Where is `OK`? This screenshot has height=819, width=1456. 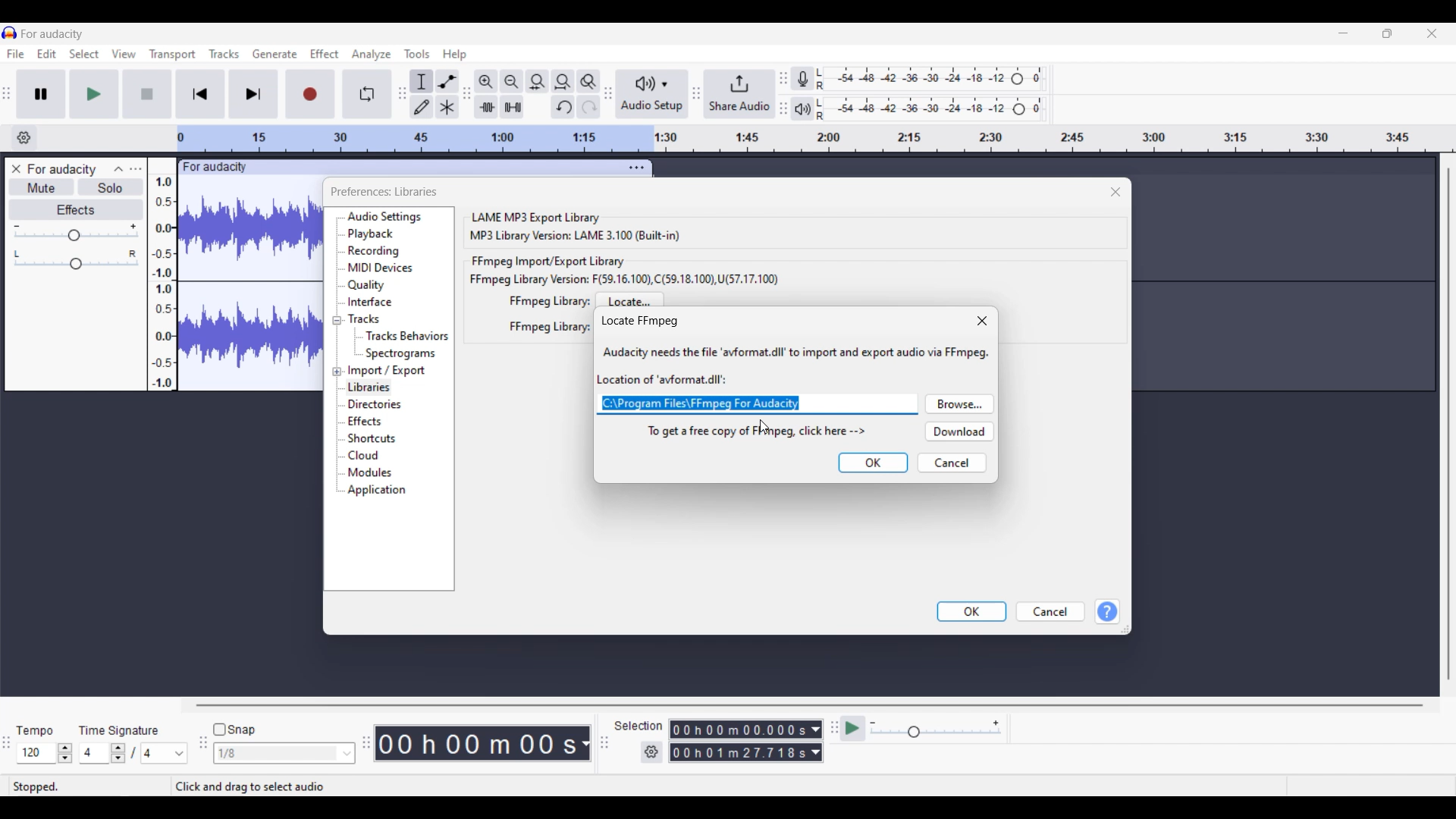 OK is located at coordinates (971, 612).